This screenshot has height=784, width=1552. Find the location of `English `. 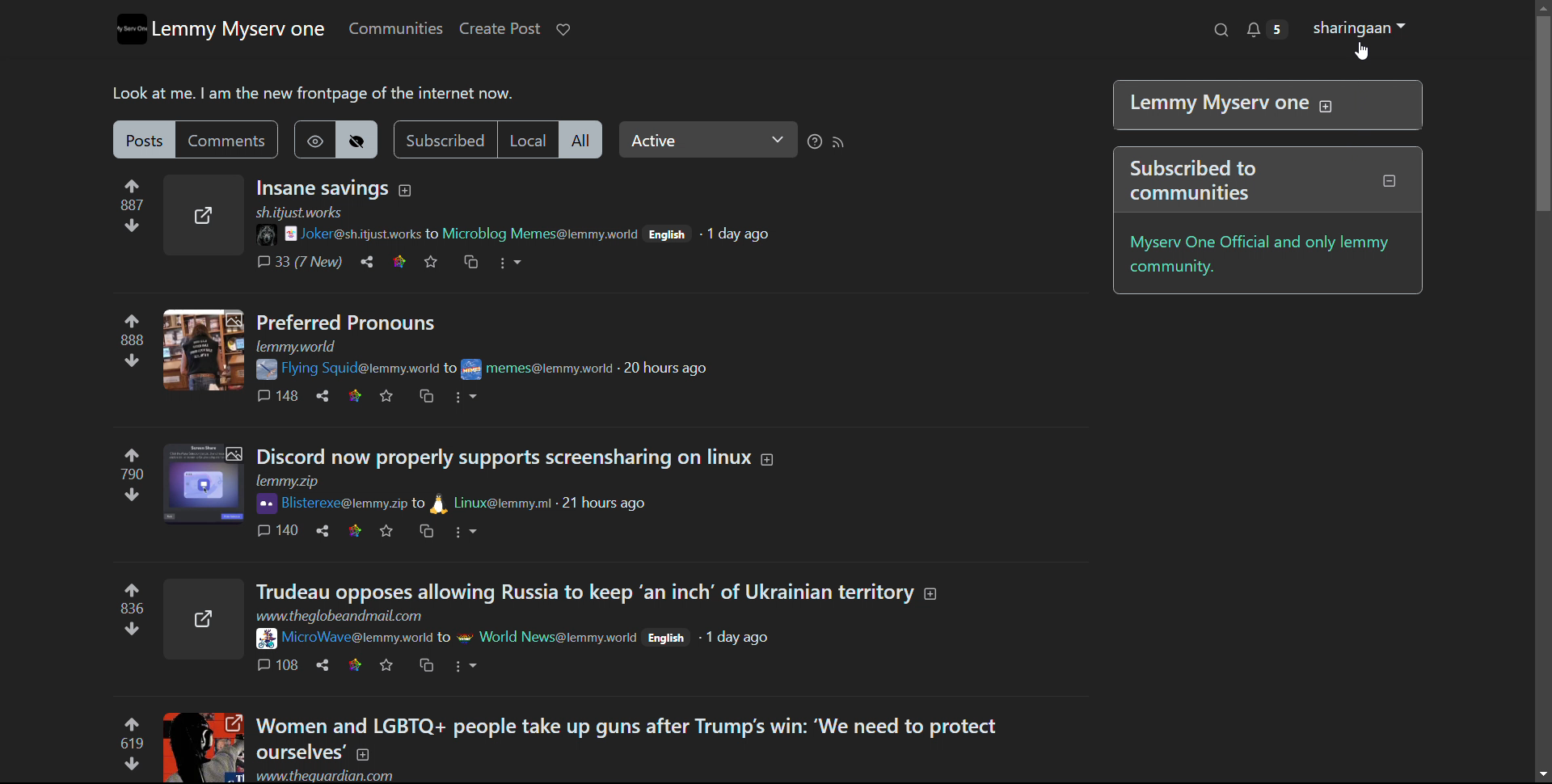

English  is located at coordinates (666, 234).